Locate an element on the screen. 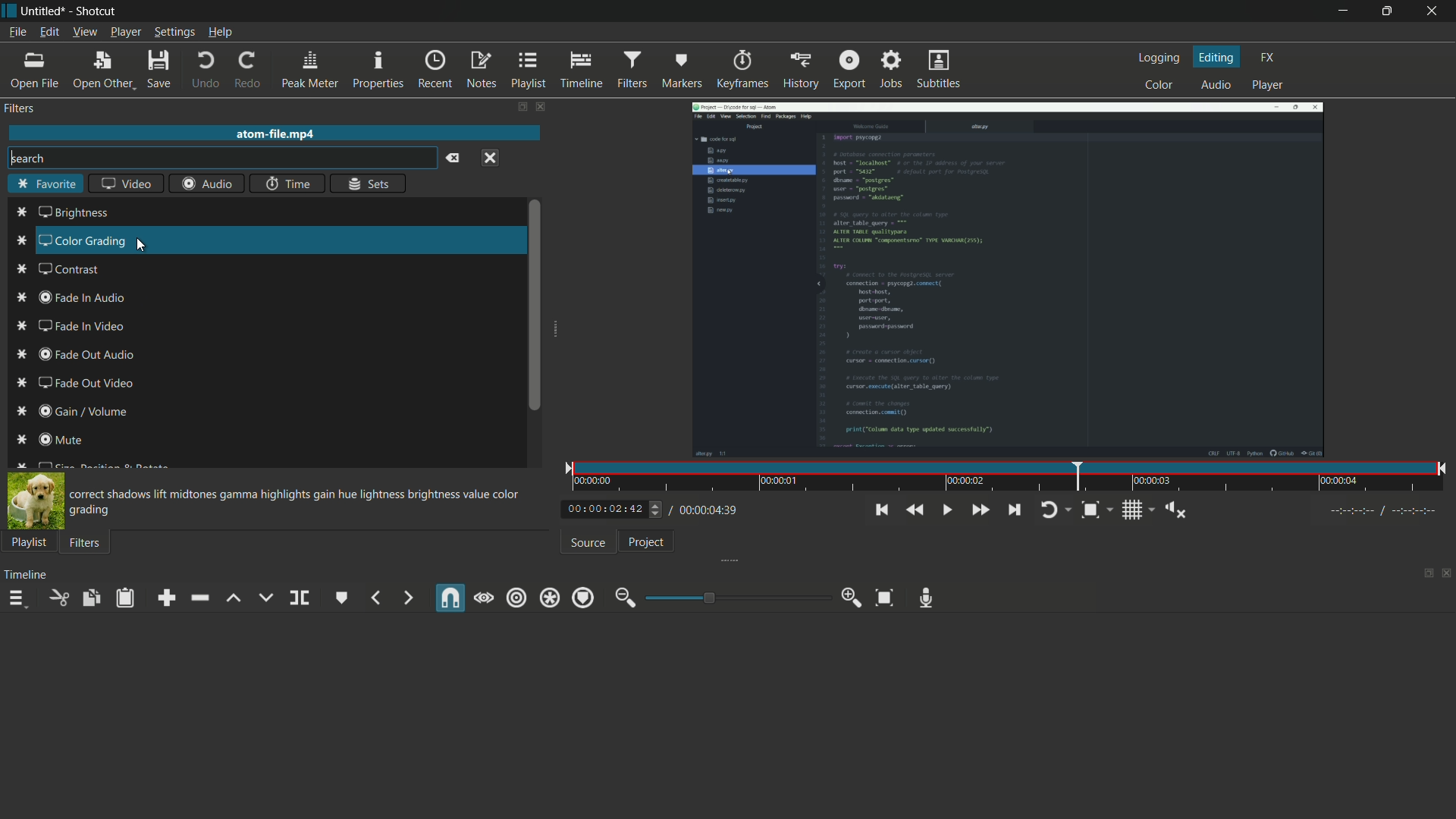 This screenshot has width=1456, height=819. mute is located at coordinates (62, 438).